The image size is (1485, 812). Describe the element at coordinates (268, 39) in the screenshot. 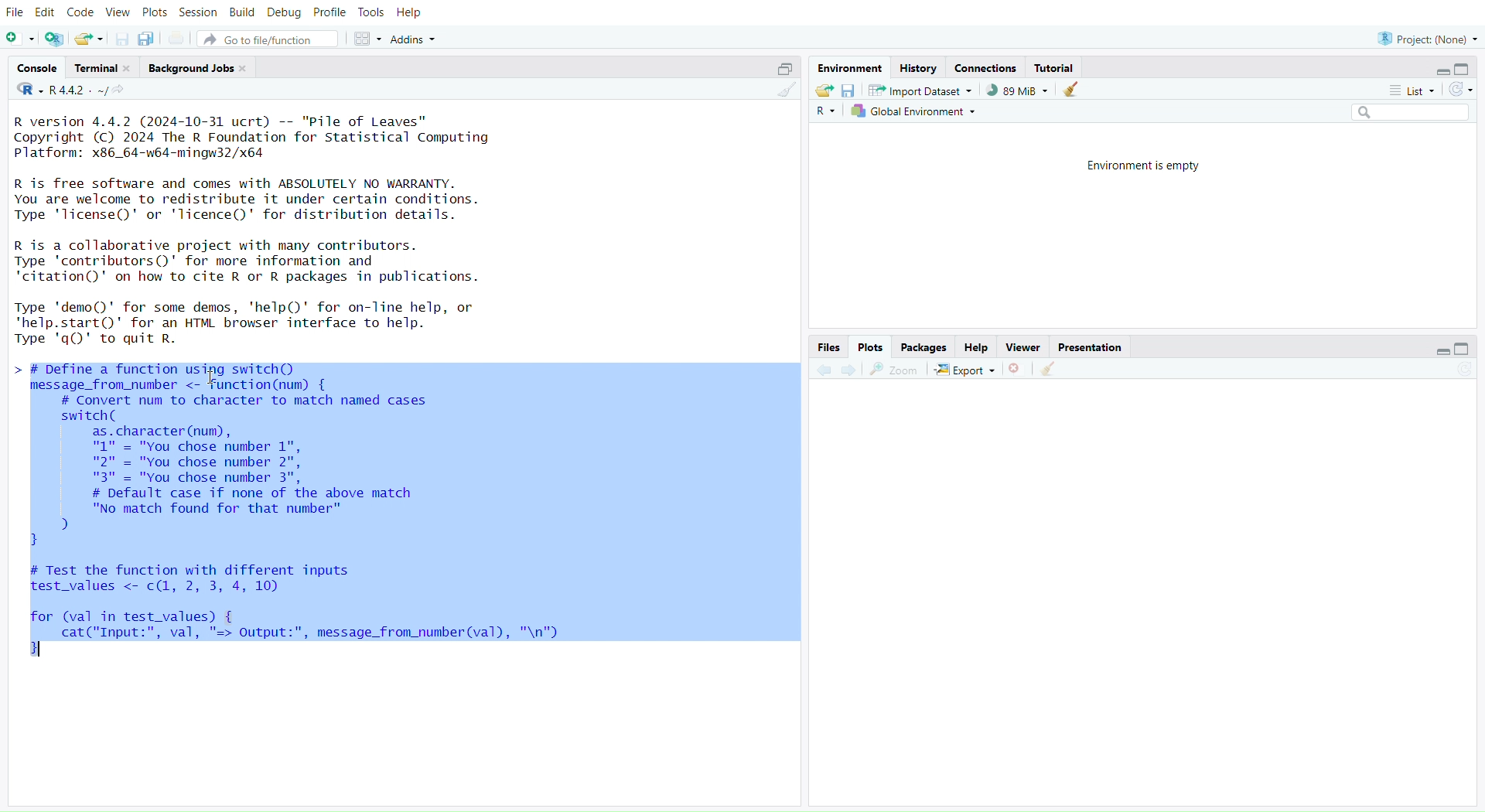

I see `Go to file/function` at that location.